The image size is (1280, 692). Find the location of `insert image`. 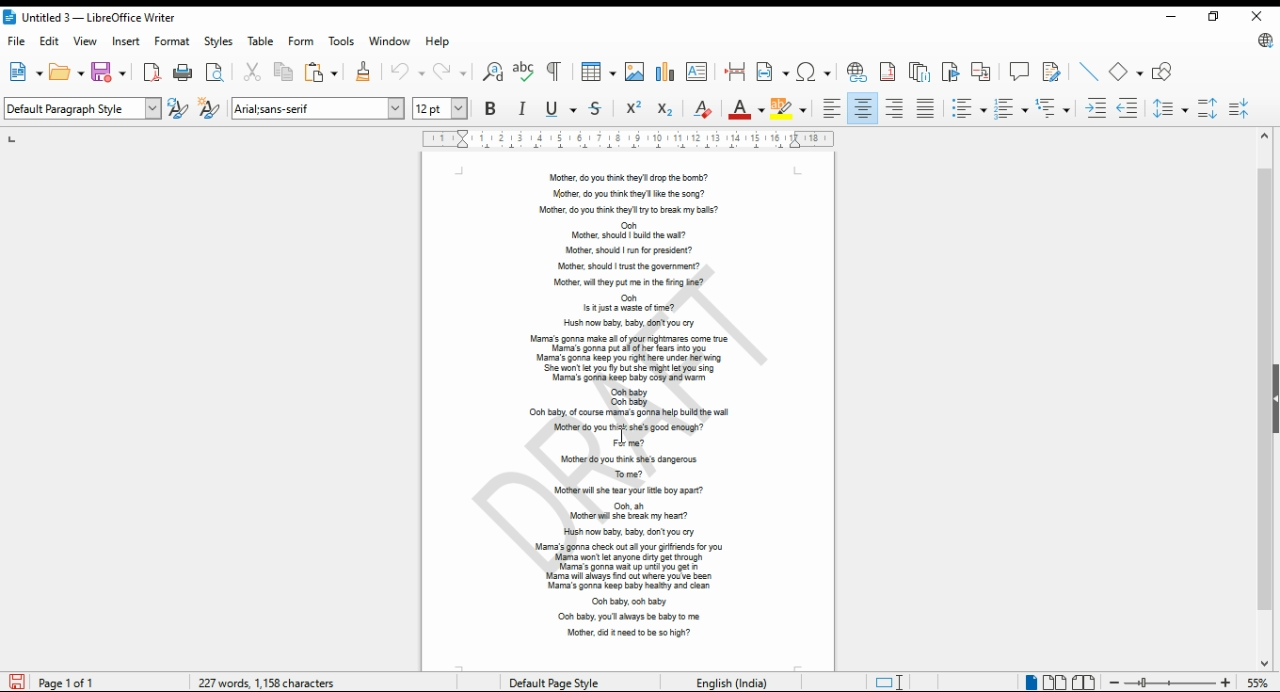

insert image is located at coordinates (636, 71).